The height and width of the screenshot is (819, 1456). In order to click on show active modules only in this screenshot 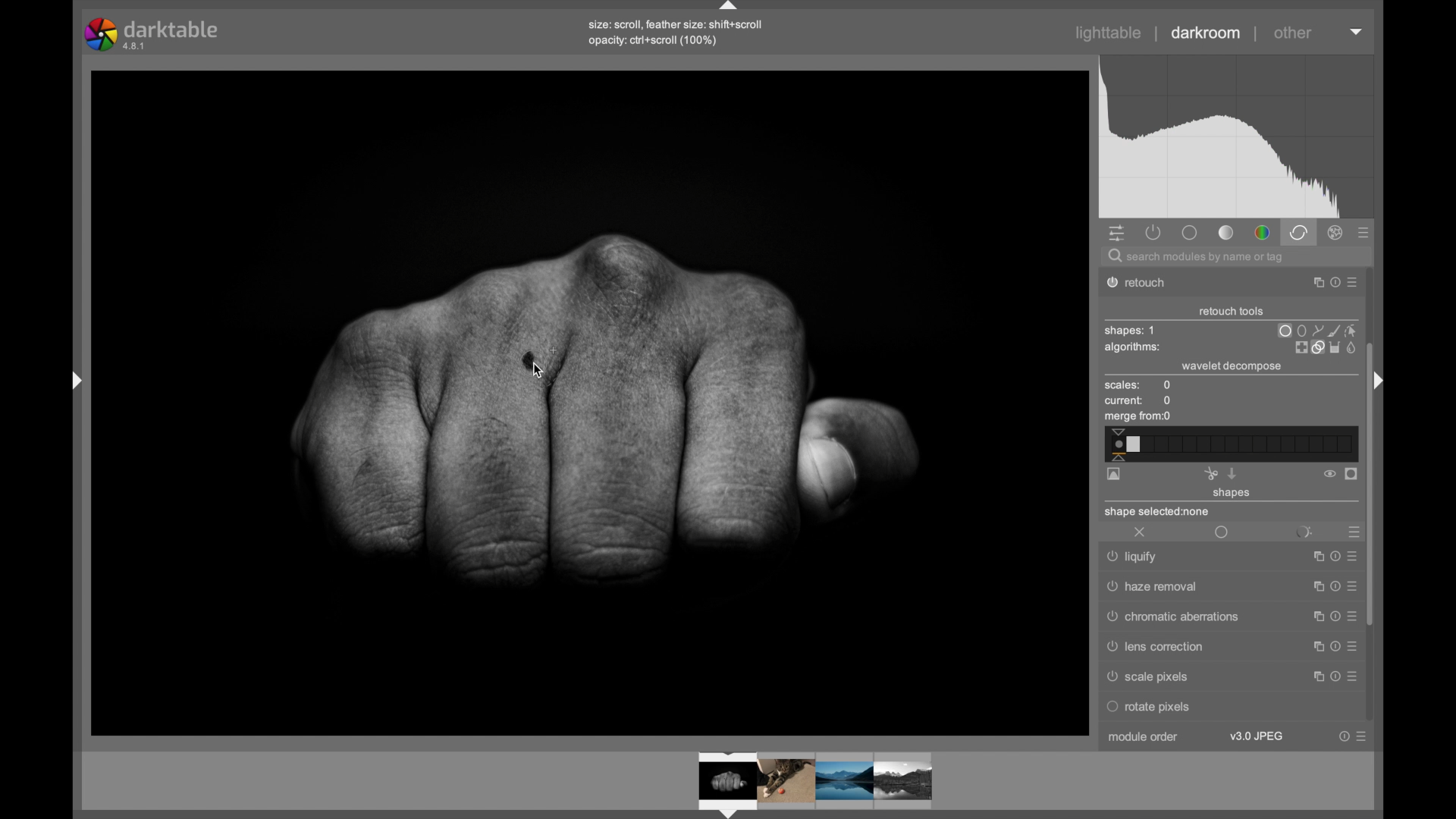, I will do `click(1154, 232)`.